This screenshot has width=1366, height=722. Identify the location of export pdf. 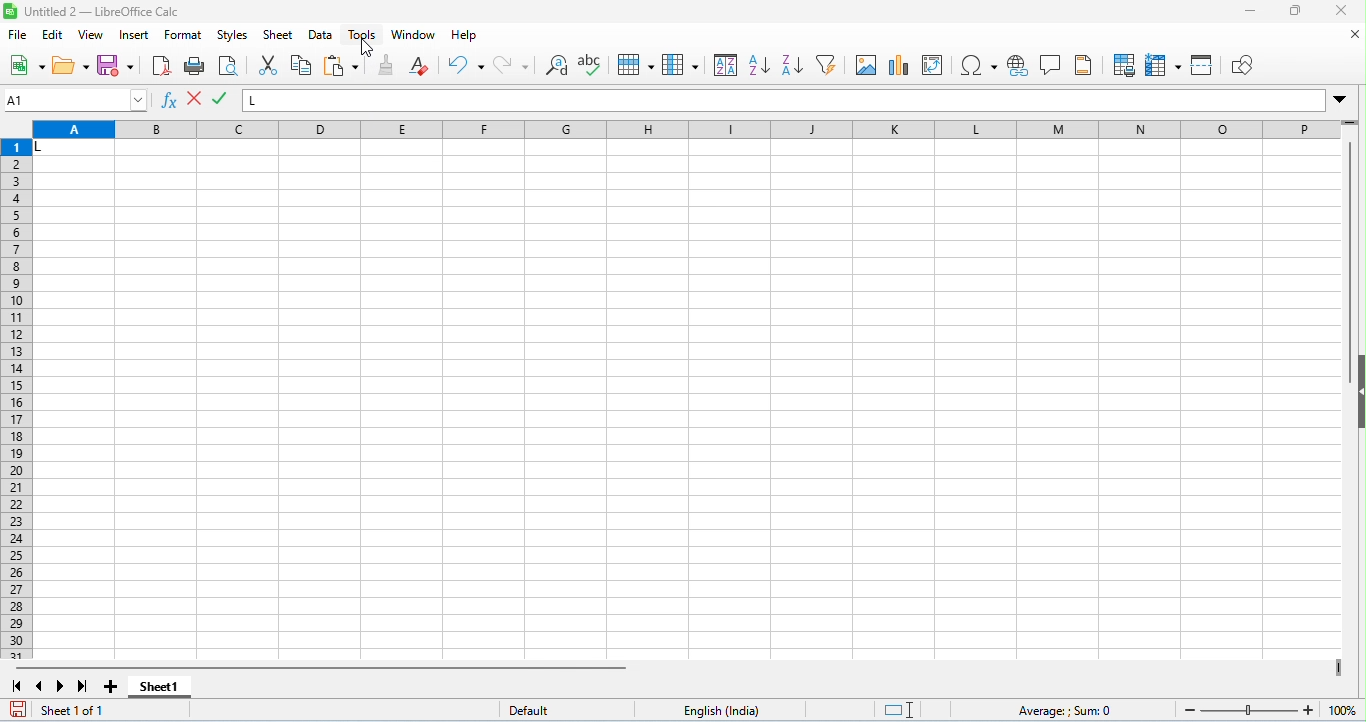
(161, 65).